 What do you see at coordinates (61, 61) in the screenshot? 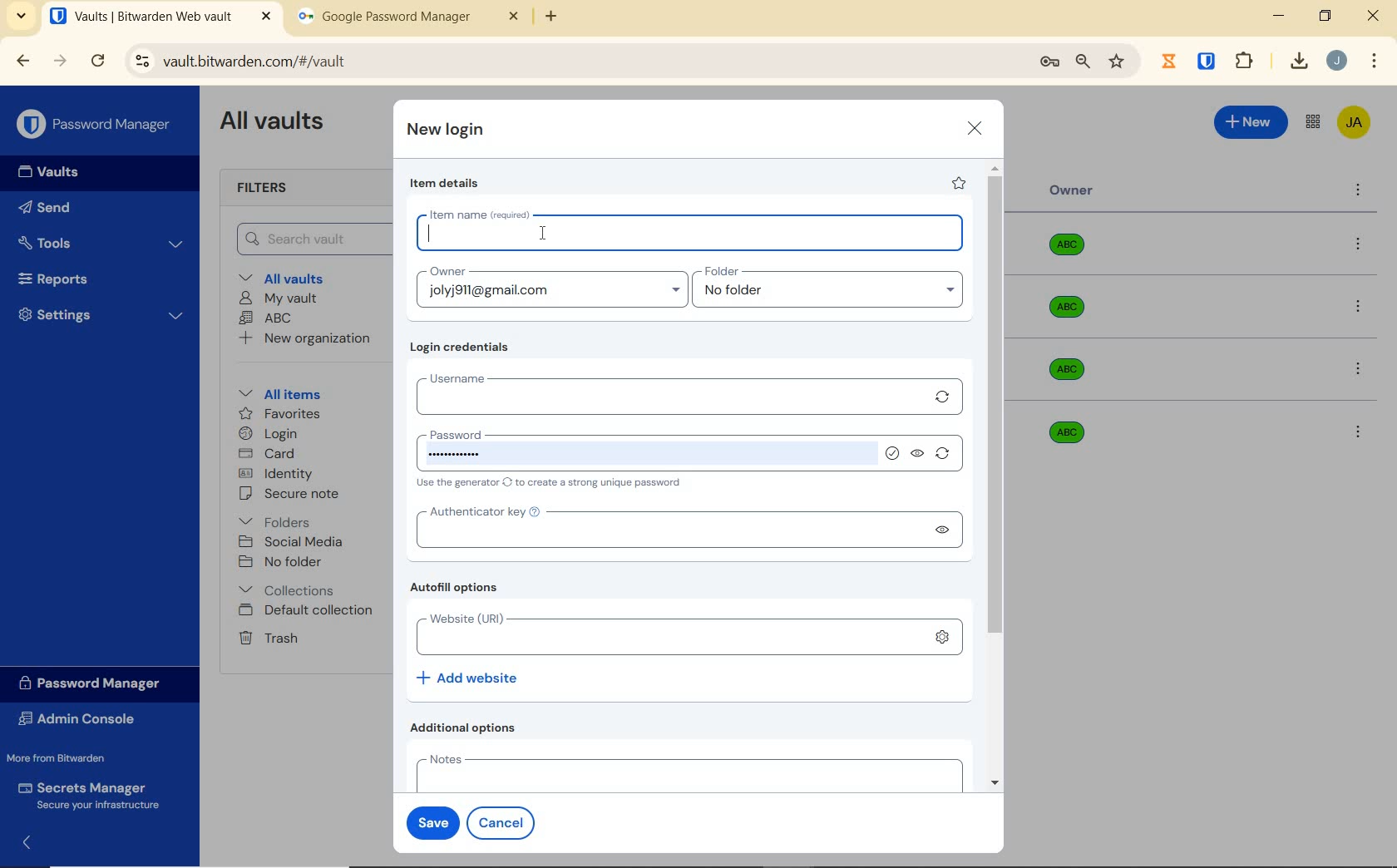
I see `forward` at bounding box center [61, 61].